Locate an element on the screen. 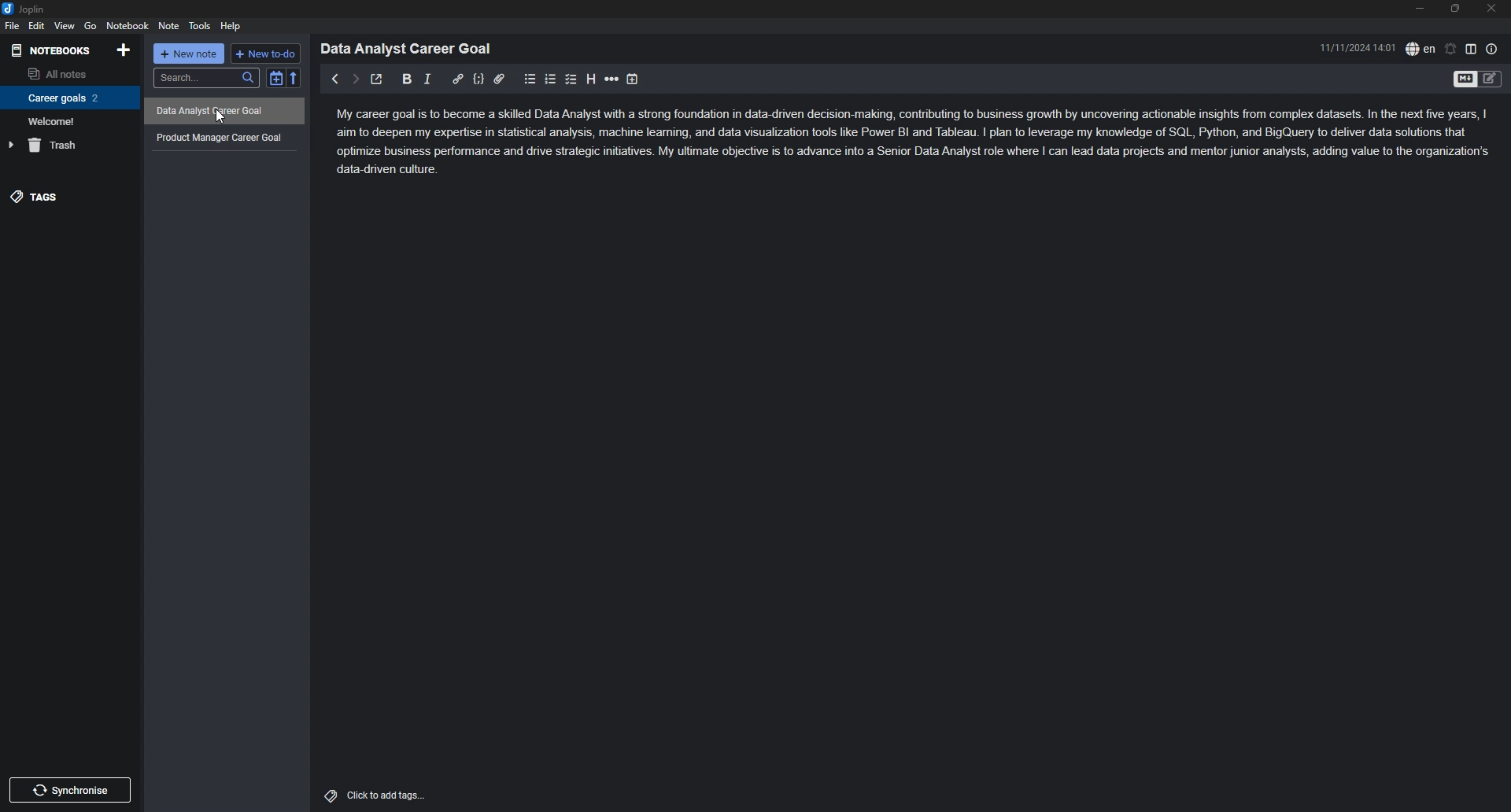 The height and width of the screenshot is (812, 1511). set alarm is located at coordinates (1451, 49).